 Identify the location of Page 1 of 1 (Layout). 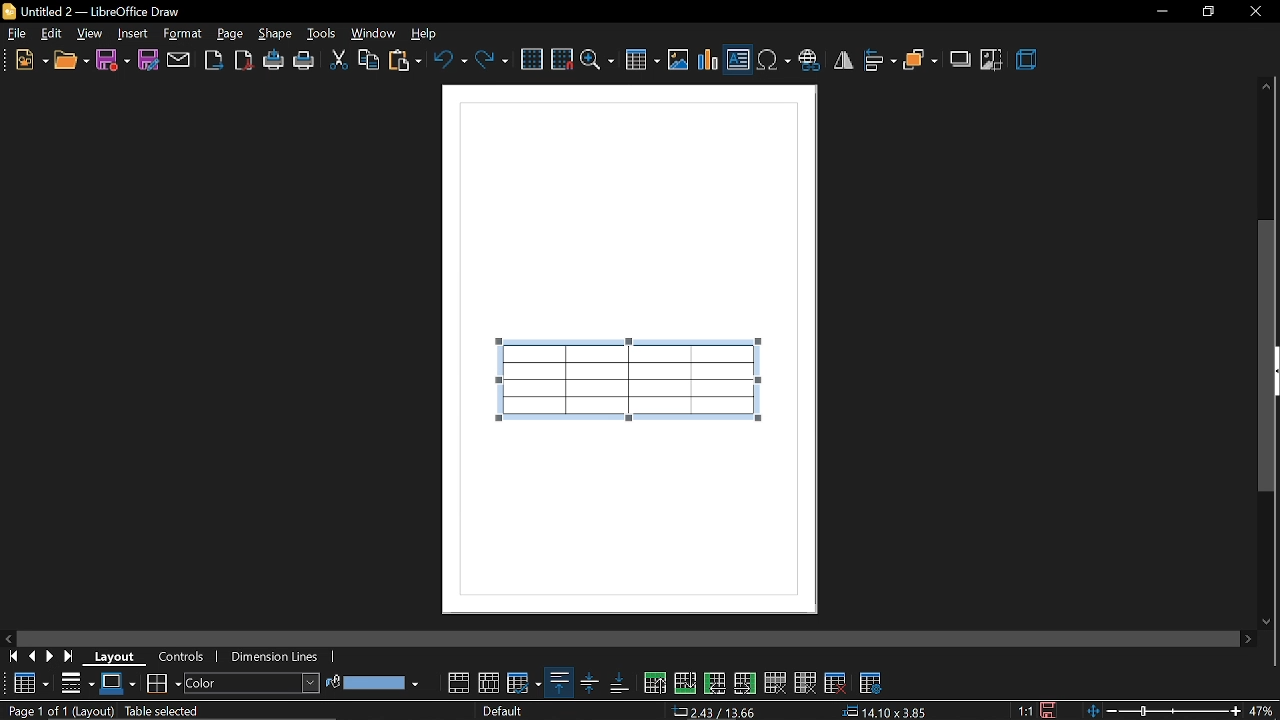
(58, 711).